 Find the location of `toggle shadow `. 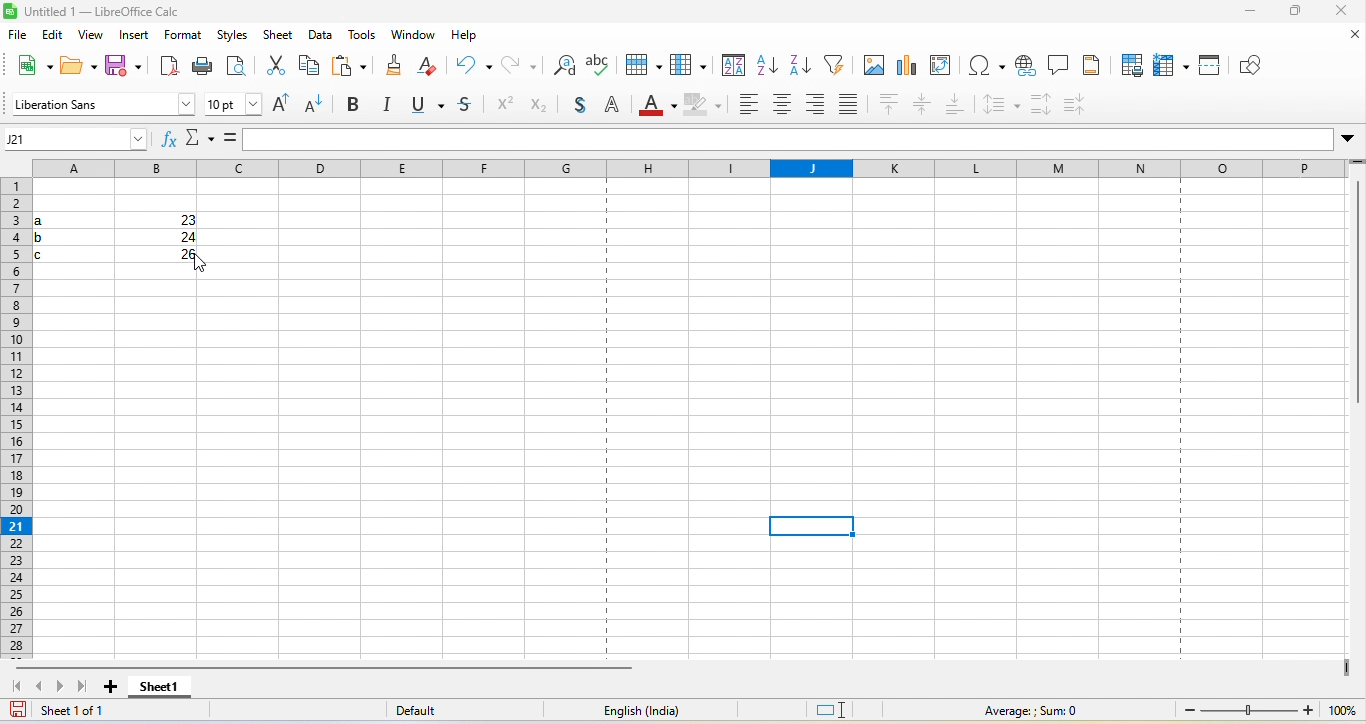

toggle shadow  is located at coordinates (578, 104).